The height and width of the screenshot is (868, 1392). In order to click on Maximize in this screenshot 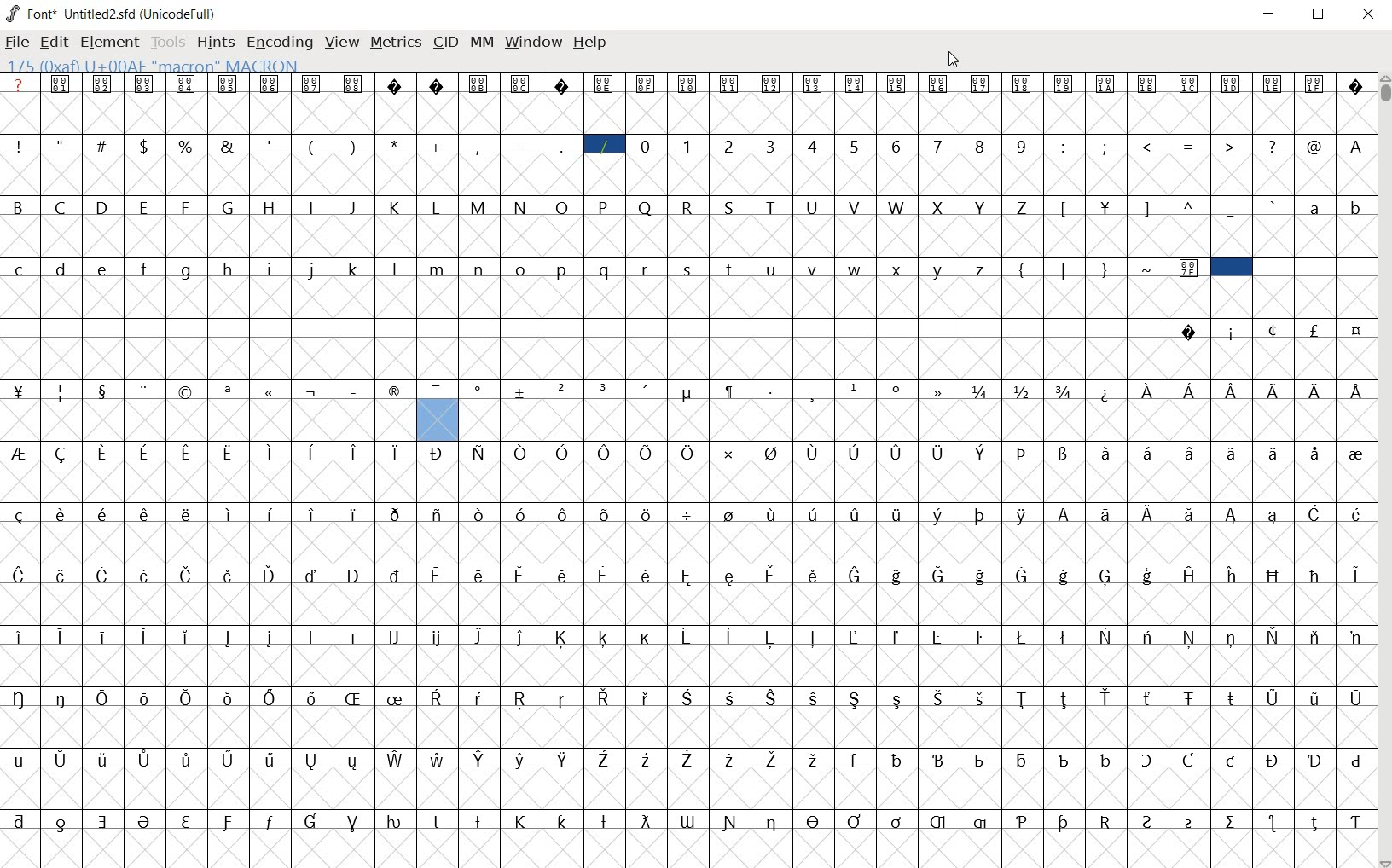, I will do `click(1322, 17)`.